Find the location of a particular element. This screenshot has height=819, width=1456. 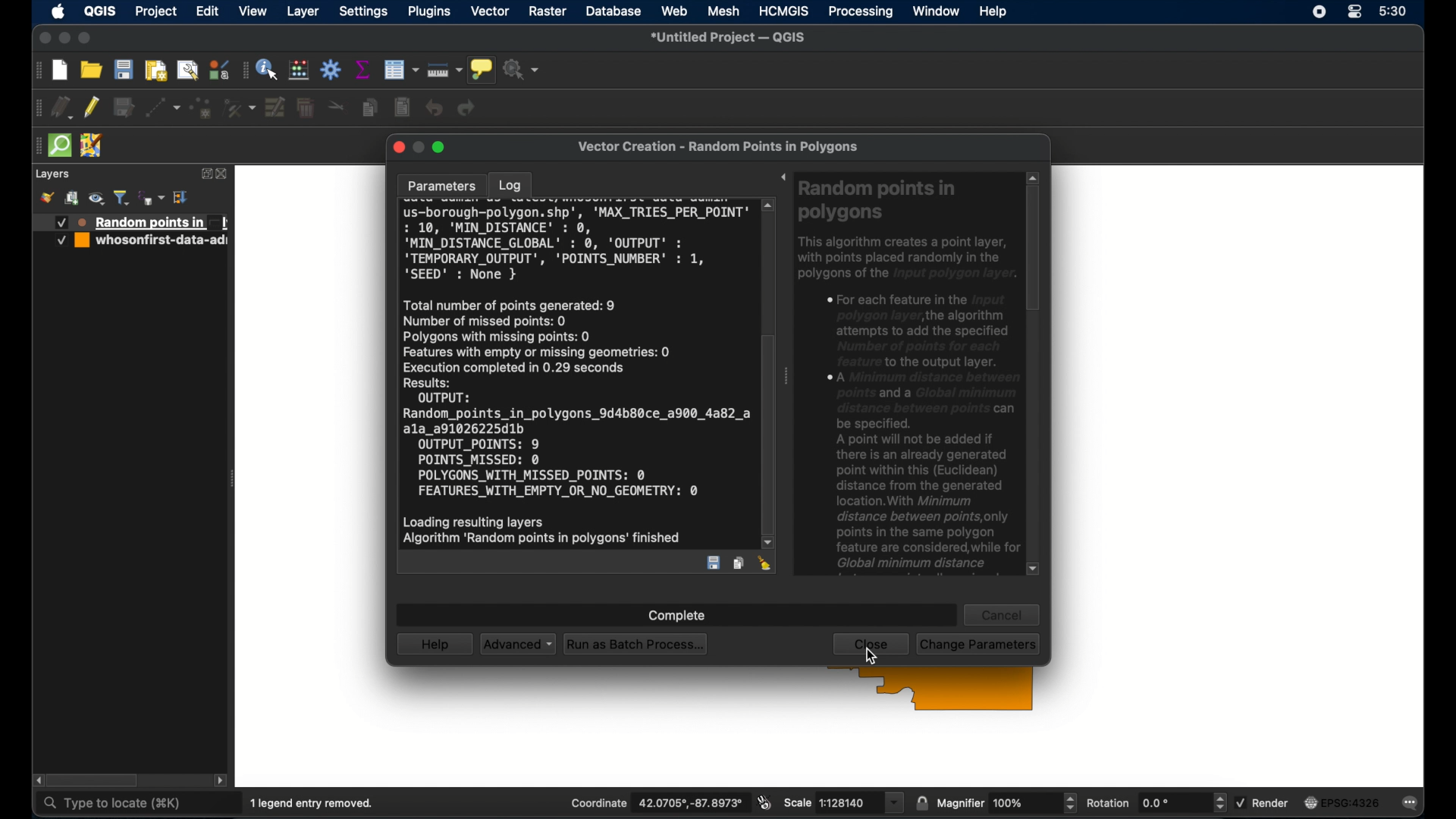

close is located at coordinates (871, 648).